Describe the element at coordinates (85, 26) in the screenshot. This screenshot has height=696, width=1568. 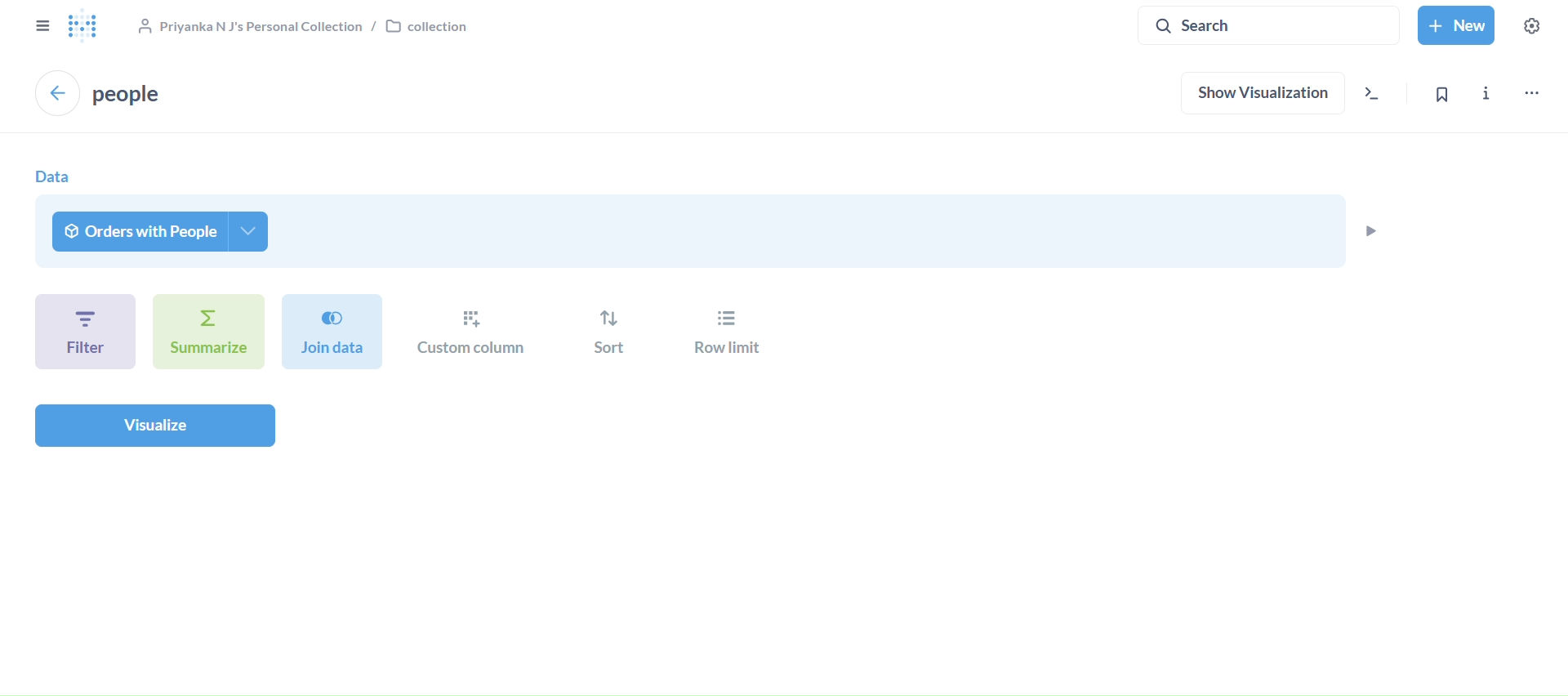
I see `logo` at that location.